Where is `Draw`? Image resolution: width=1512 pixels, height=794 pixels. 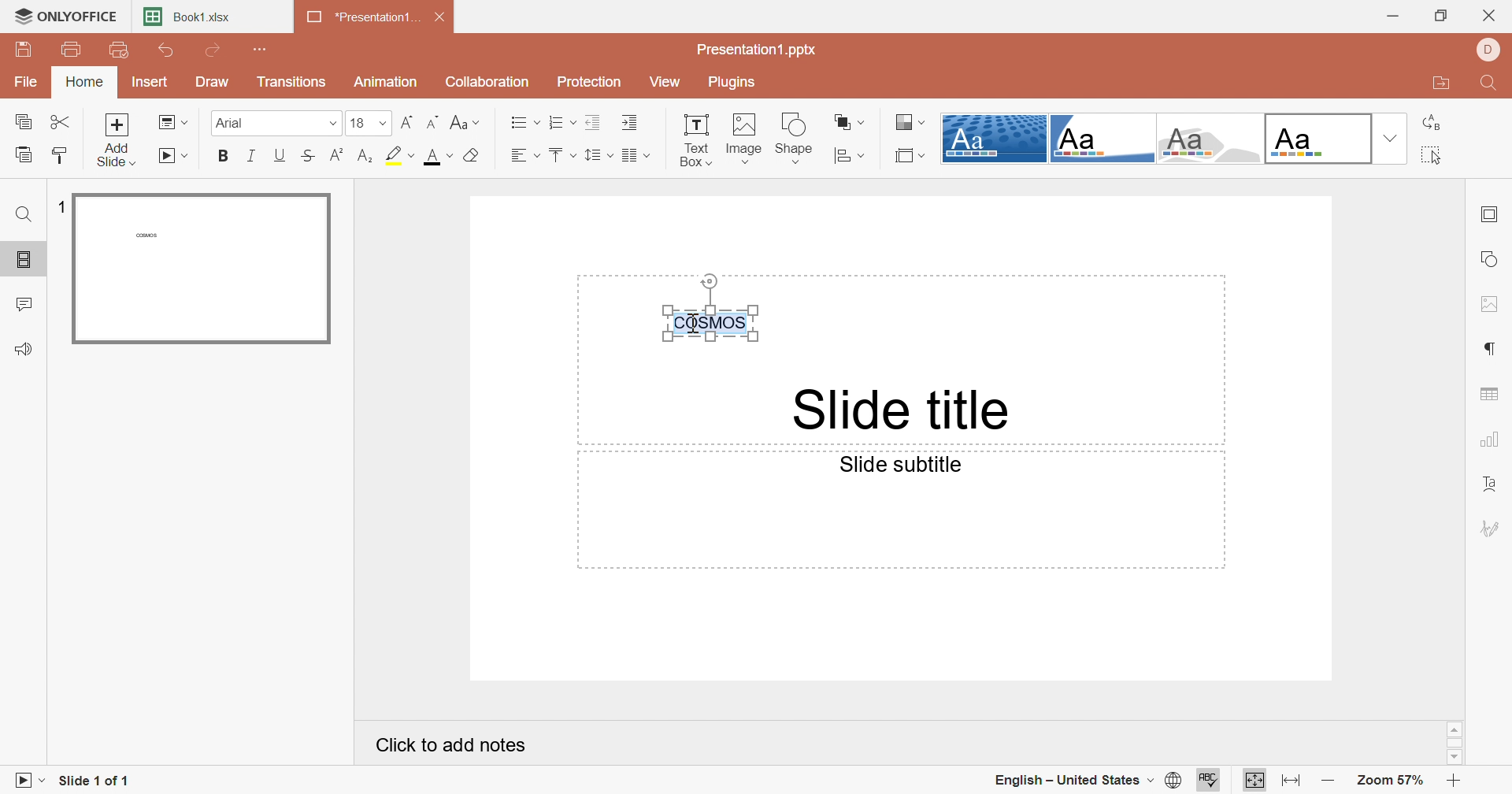
Draw is located at coordinates (212, 82).